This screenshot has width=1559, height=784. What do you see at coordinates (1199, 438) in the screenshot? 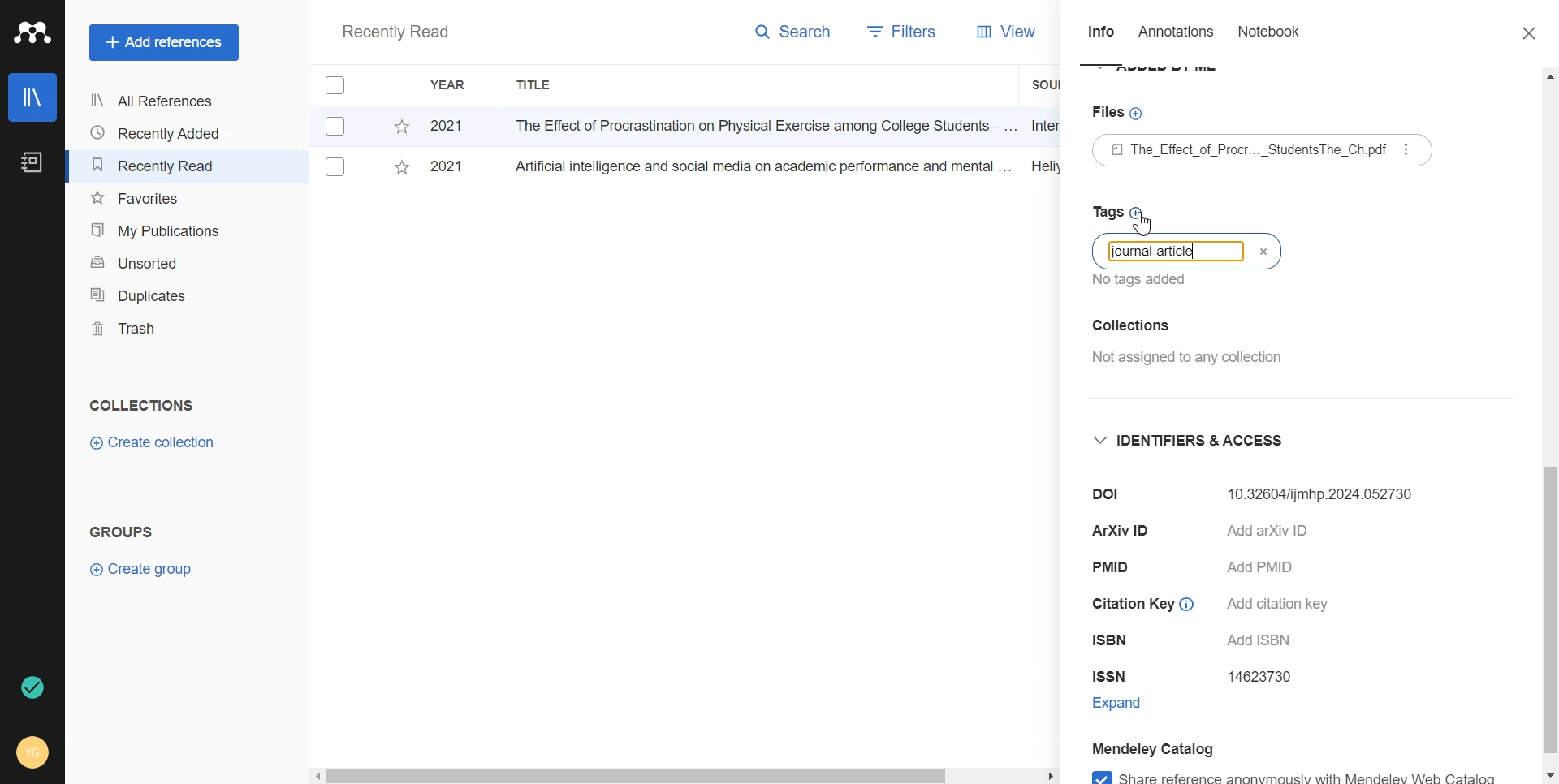
I see `Identifier` at bounding box center [1199, 438].